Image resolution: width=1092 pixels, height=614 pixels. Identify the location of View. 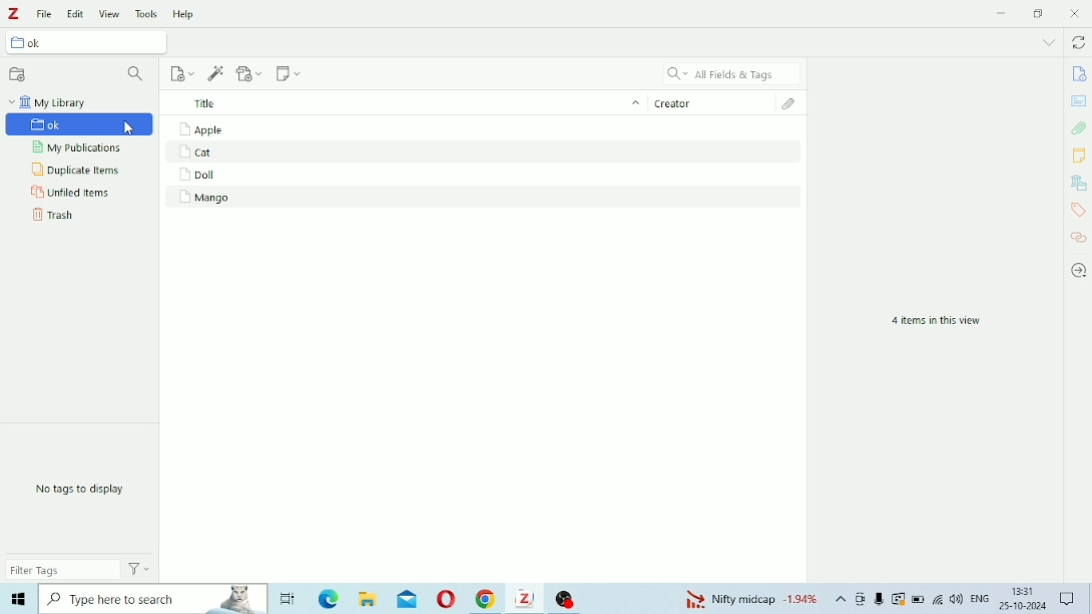
(109, 14).